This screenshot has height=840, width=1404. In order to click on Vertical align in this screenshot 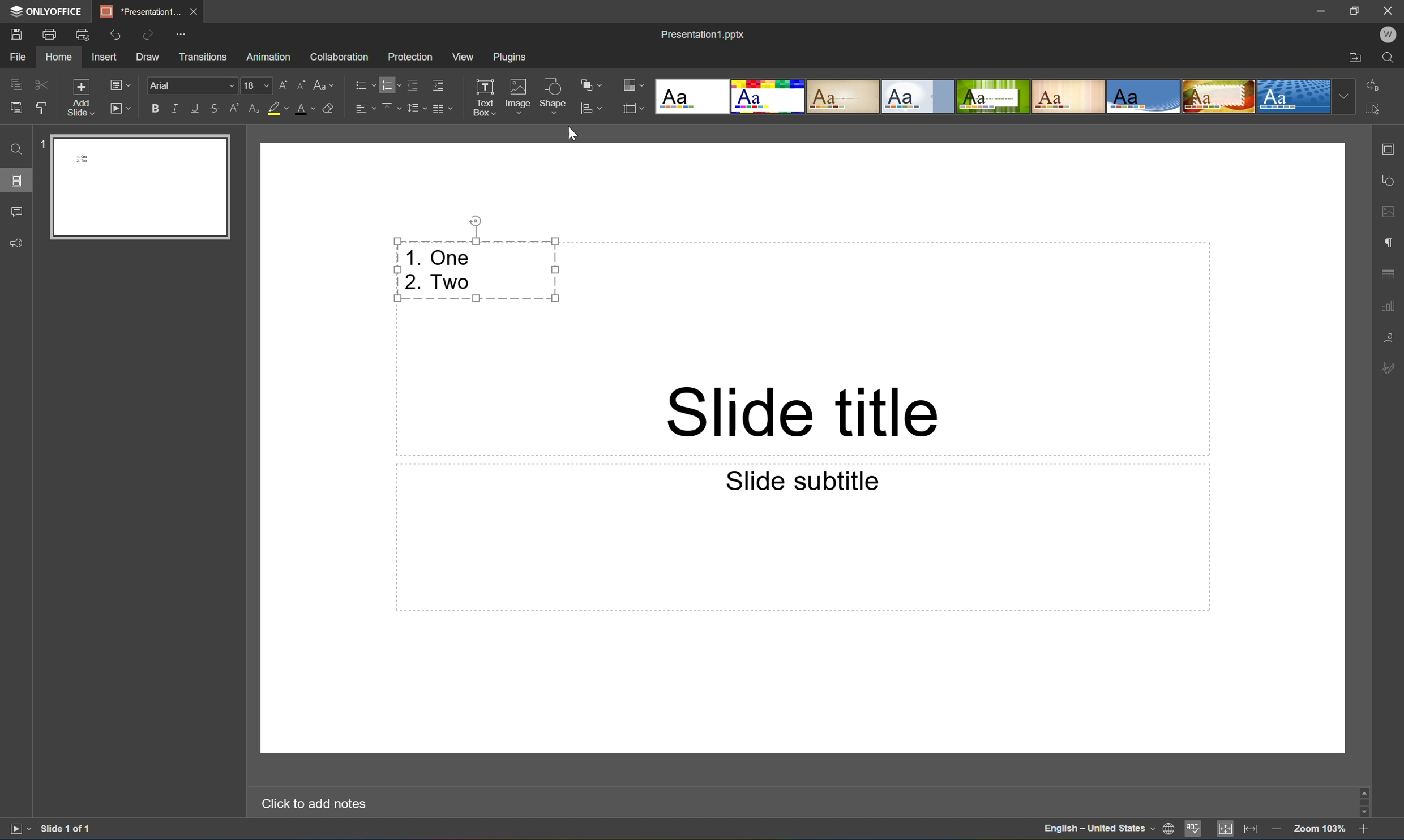, I will do `click(392, 106)`.